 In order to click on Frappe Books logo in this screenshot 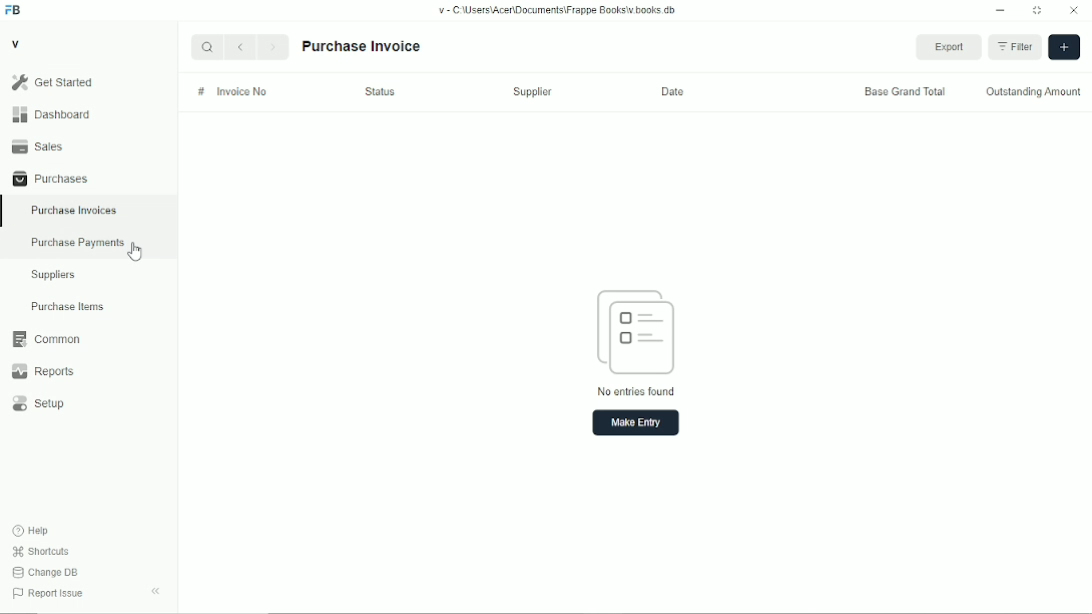, I will do `click(12, 10)`.